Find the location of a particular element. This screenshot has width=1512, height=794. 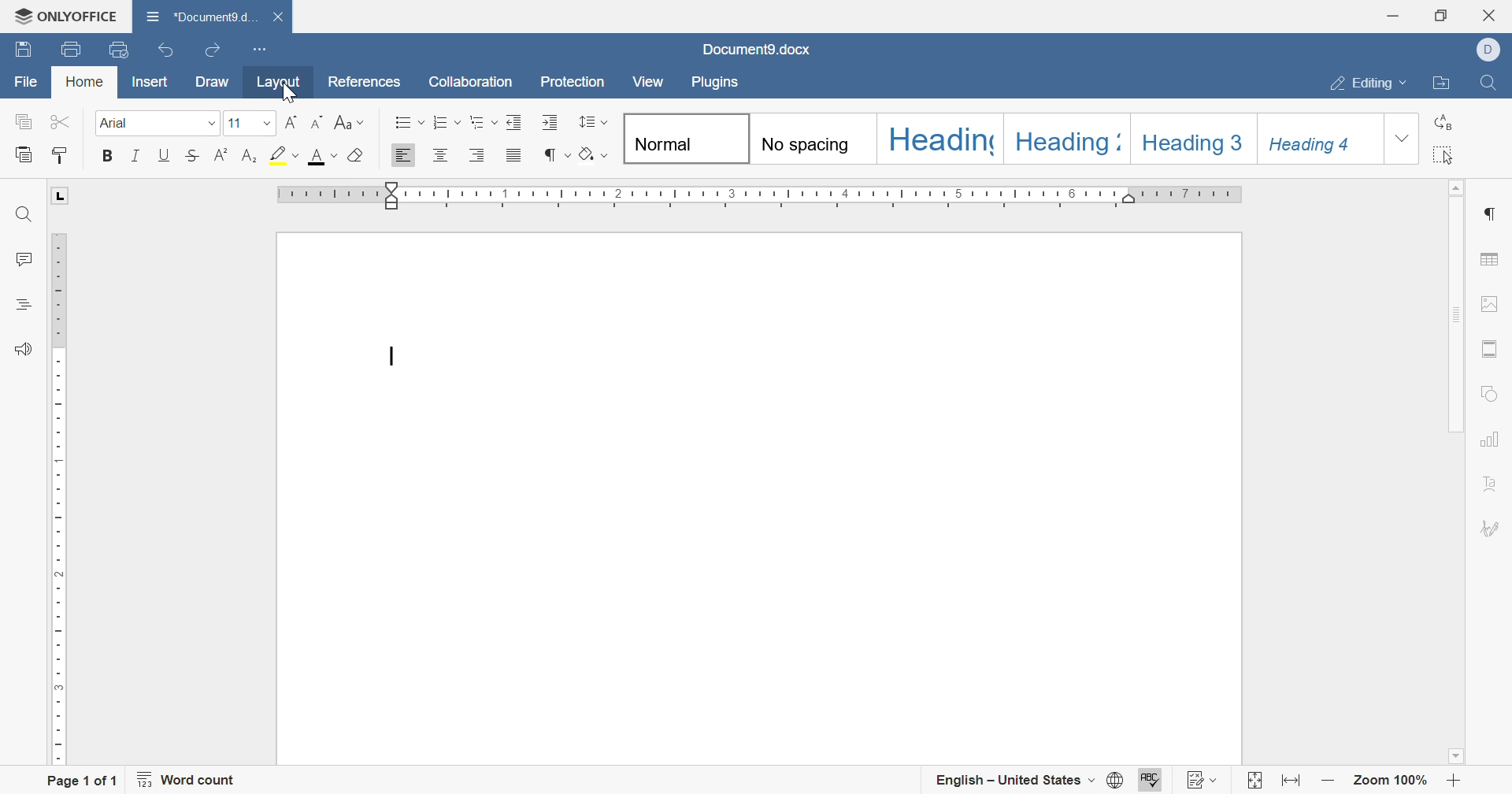

ruler is located at coordinates (59, 499).